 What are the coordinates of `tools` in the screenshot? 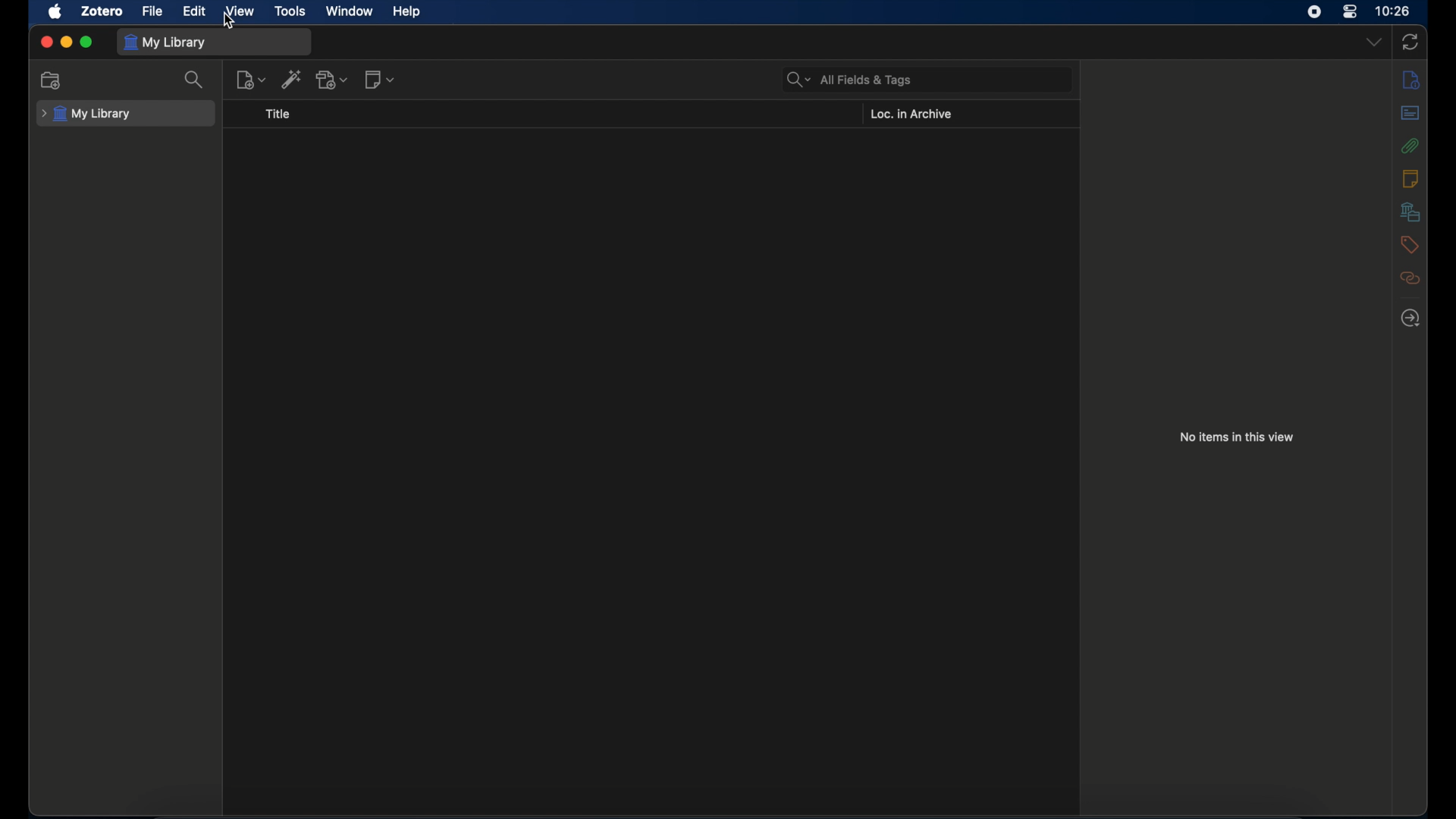 It's located at (288, 11).